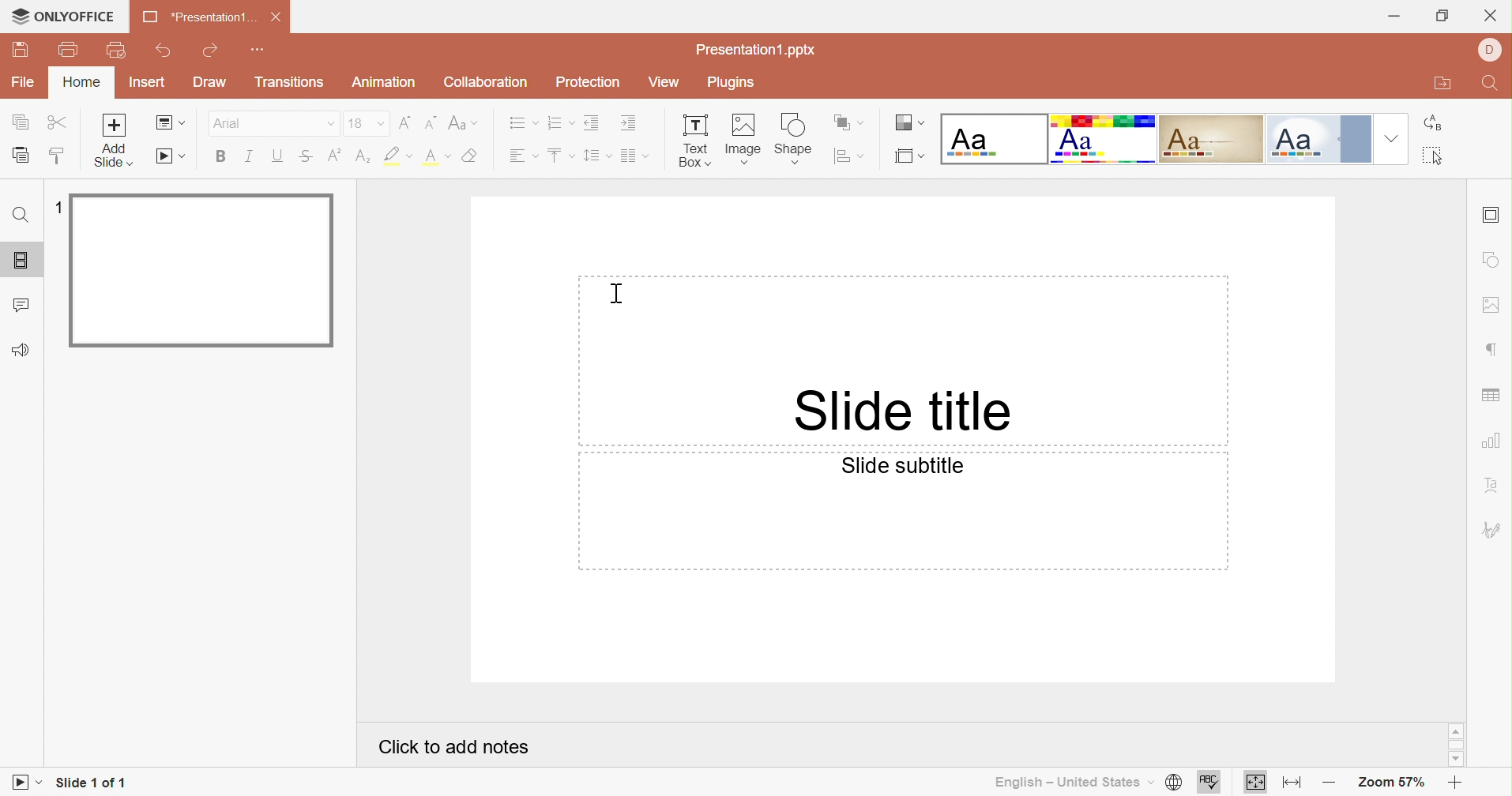 The height and width of the screenshot is (796, 1512). I want to click on Subscript, so click(363, 155).